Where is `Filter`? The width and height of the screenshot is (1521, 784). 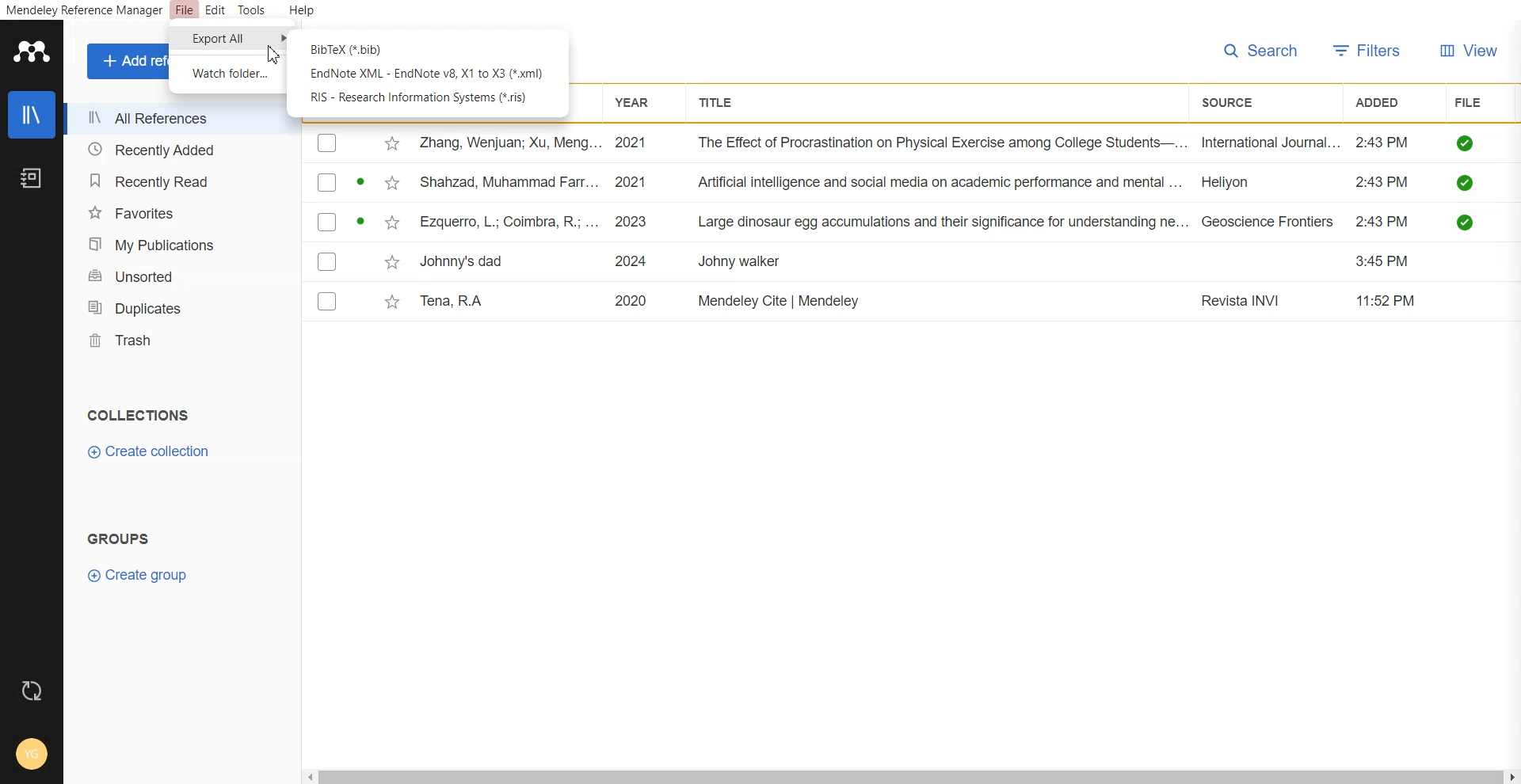 Filter is located at coordinates (1368, 51).